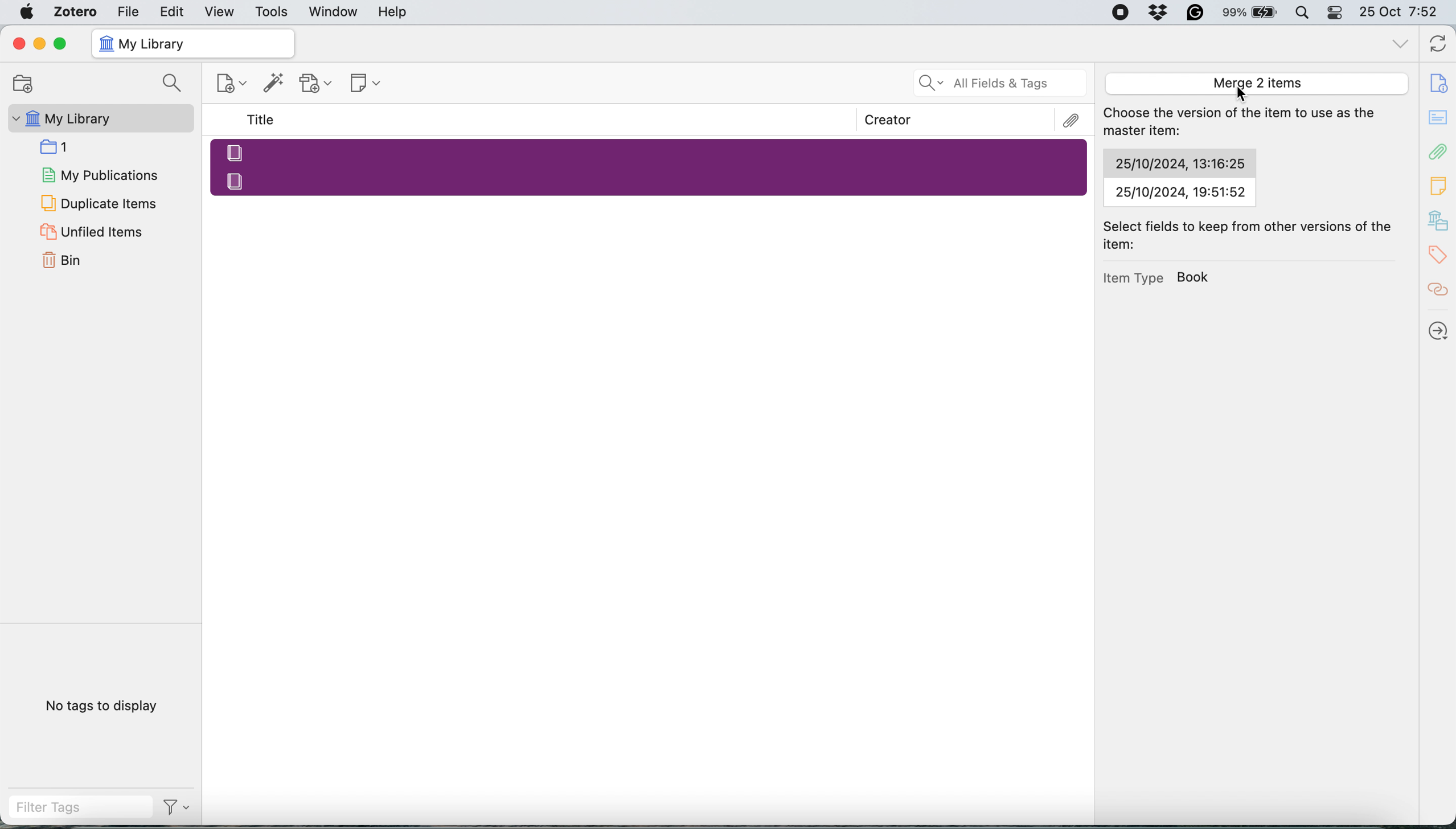 This screenshot has height=829, width=1456. Describe the element at coordinates (1439, 118) in the screenshot. I see `notes` at that location.